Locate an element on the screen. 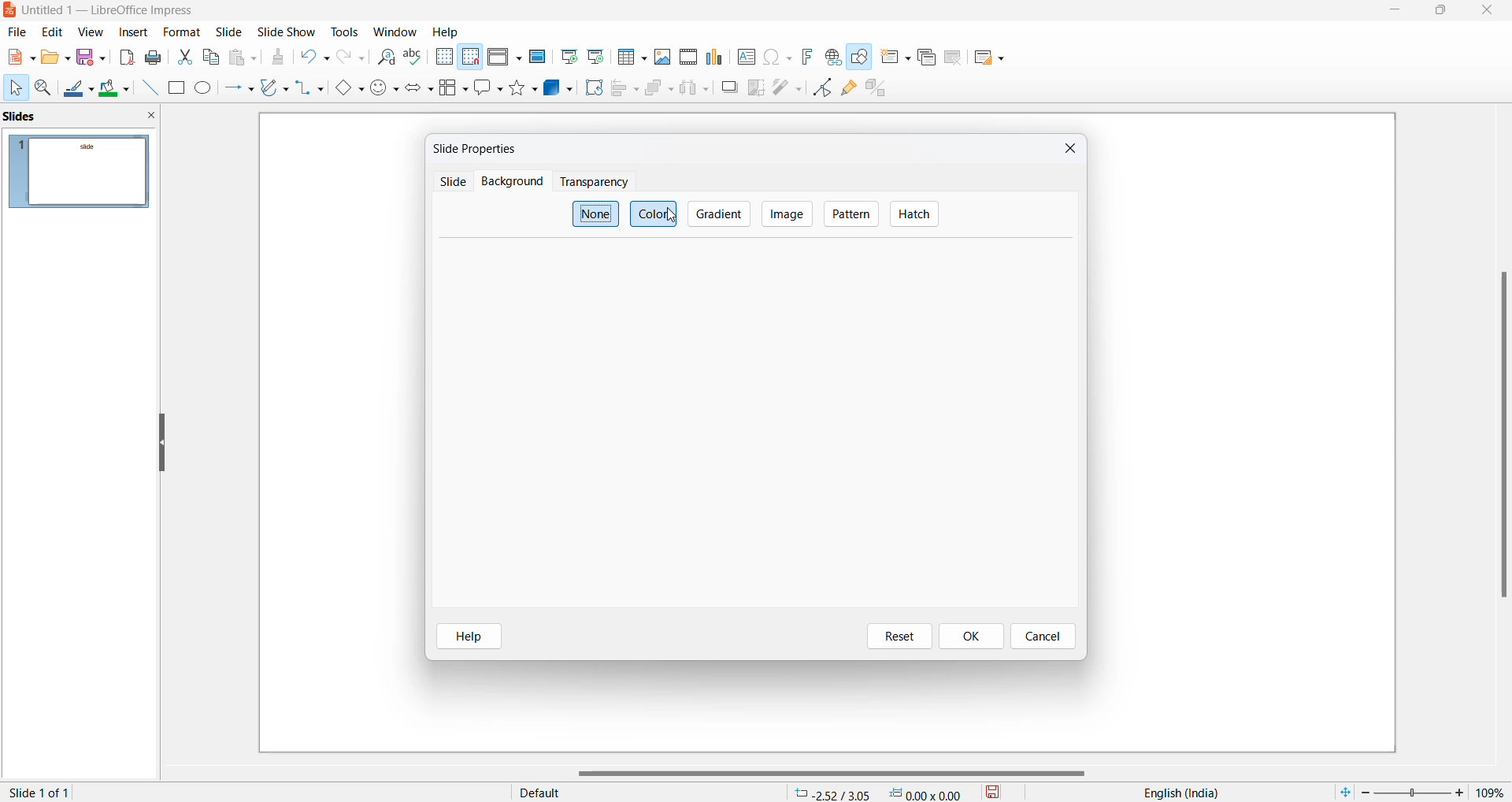 Image resolution: width=1512 pixels, height=802 pixels. rectangle  is located at coordinates (176, 87).